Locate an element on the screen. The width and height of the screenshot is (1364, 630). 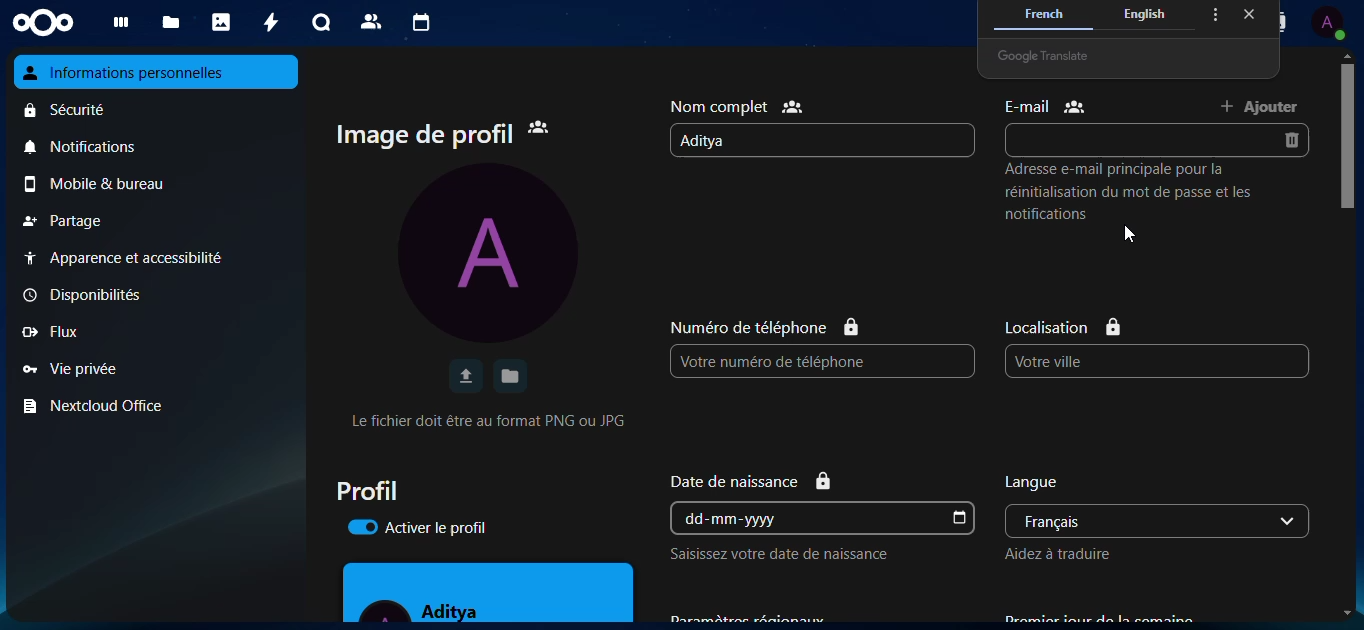
calendar is located at coordinates (420, 23).